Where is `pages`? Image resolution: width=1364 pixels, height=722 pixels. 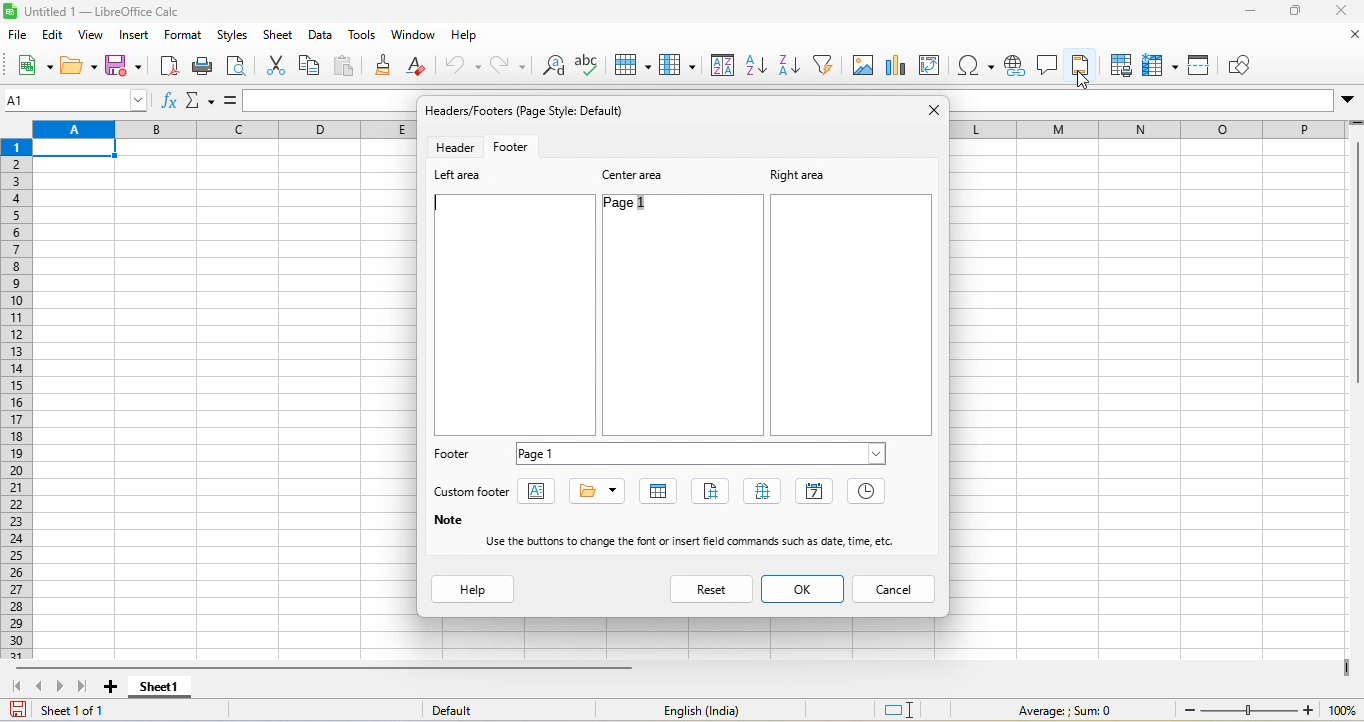 pages is located at coordinates (767, 493).